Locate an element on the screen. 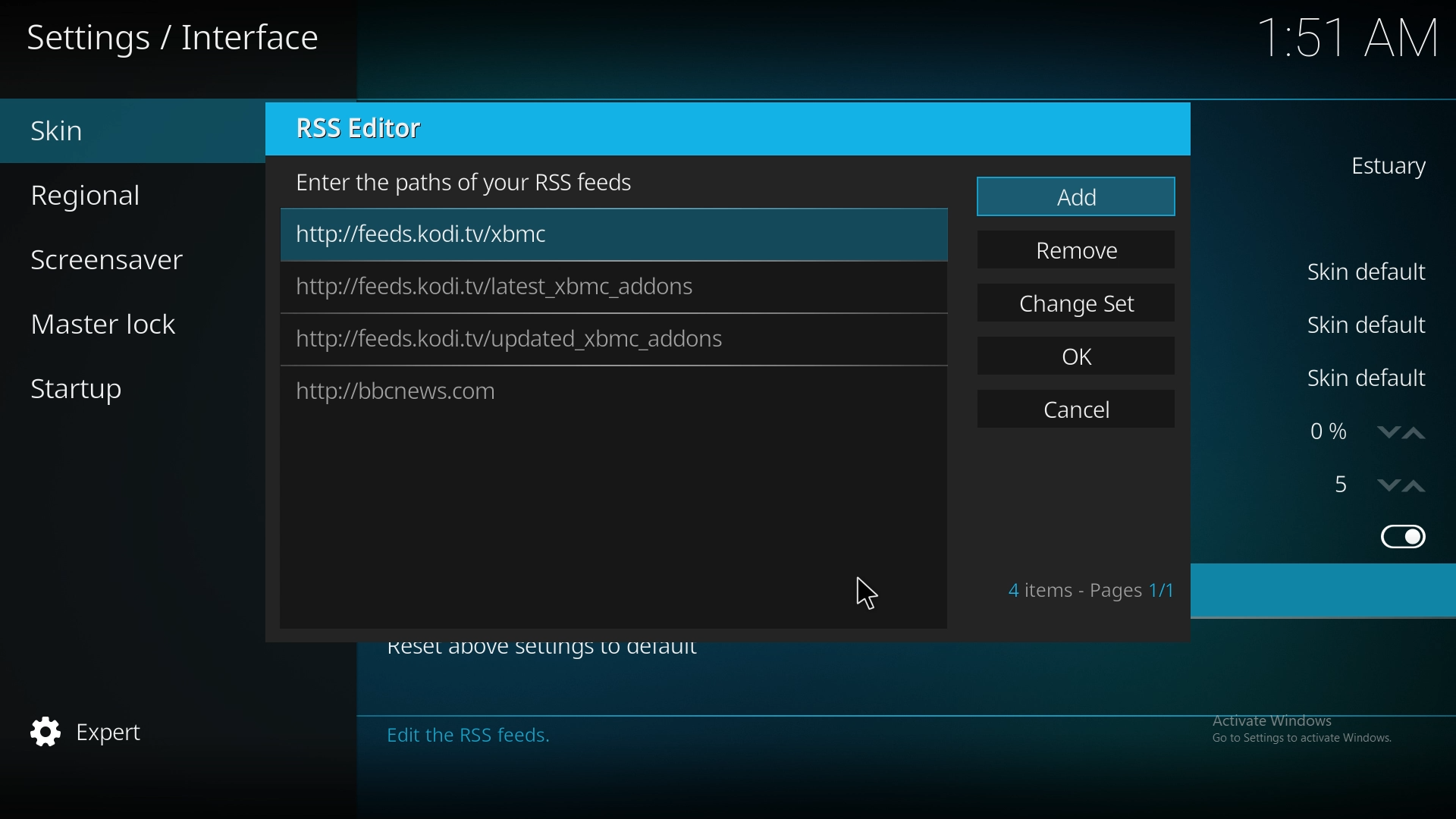  skin is located at coordinates (111, 131).